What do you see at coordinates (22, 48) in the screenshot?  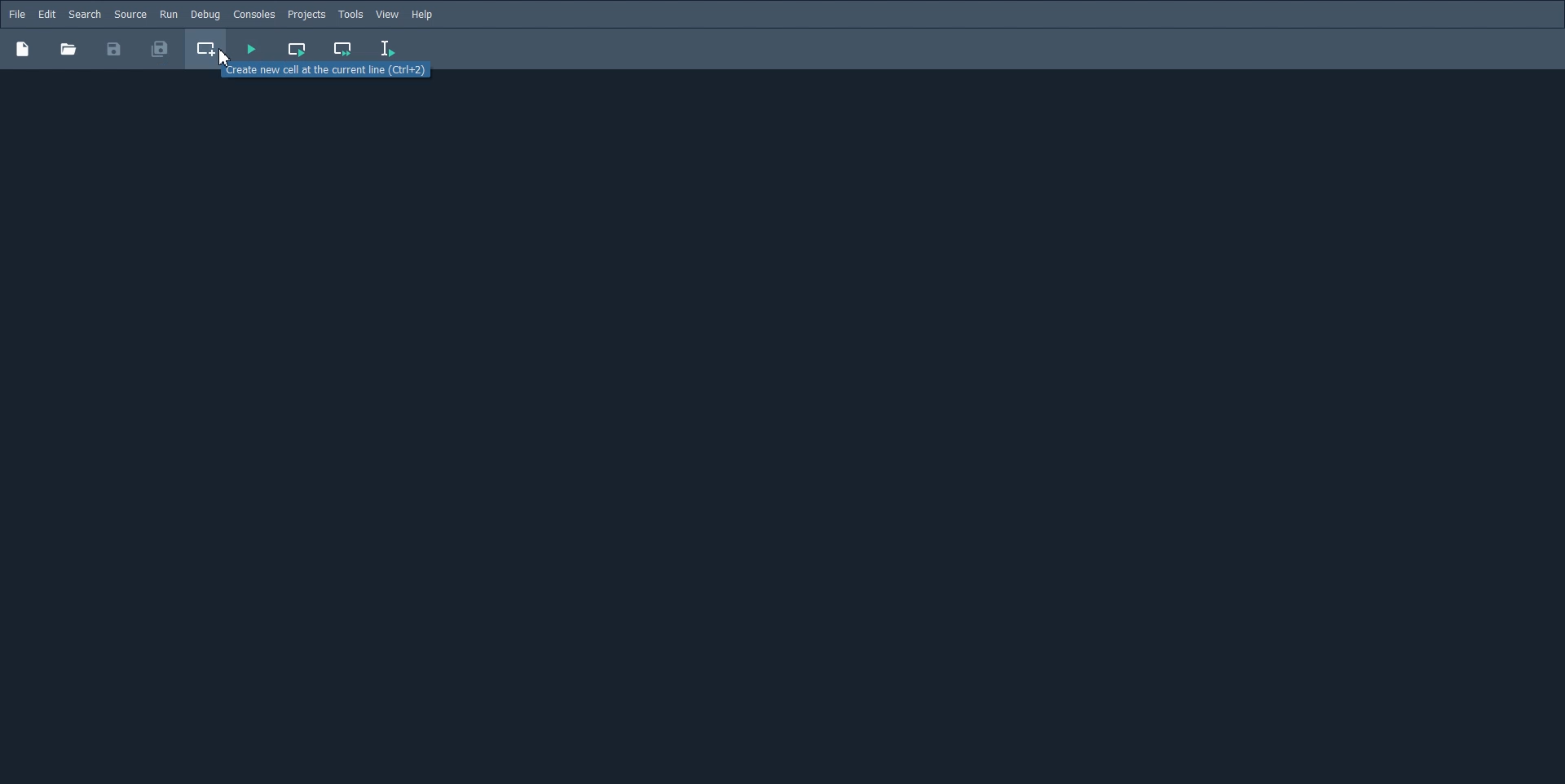 I see `New file` at bounding box center [22, 48].